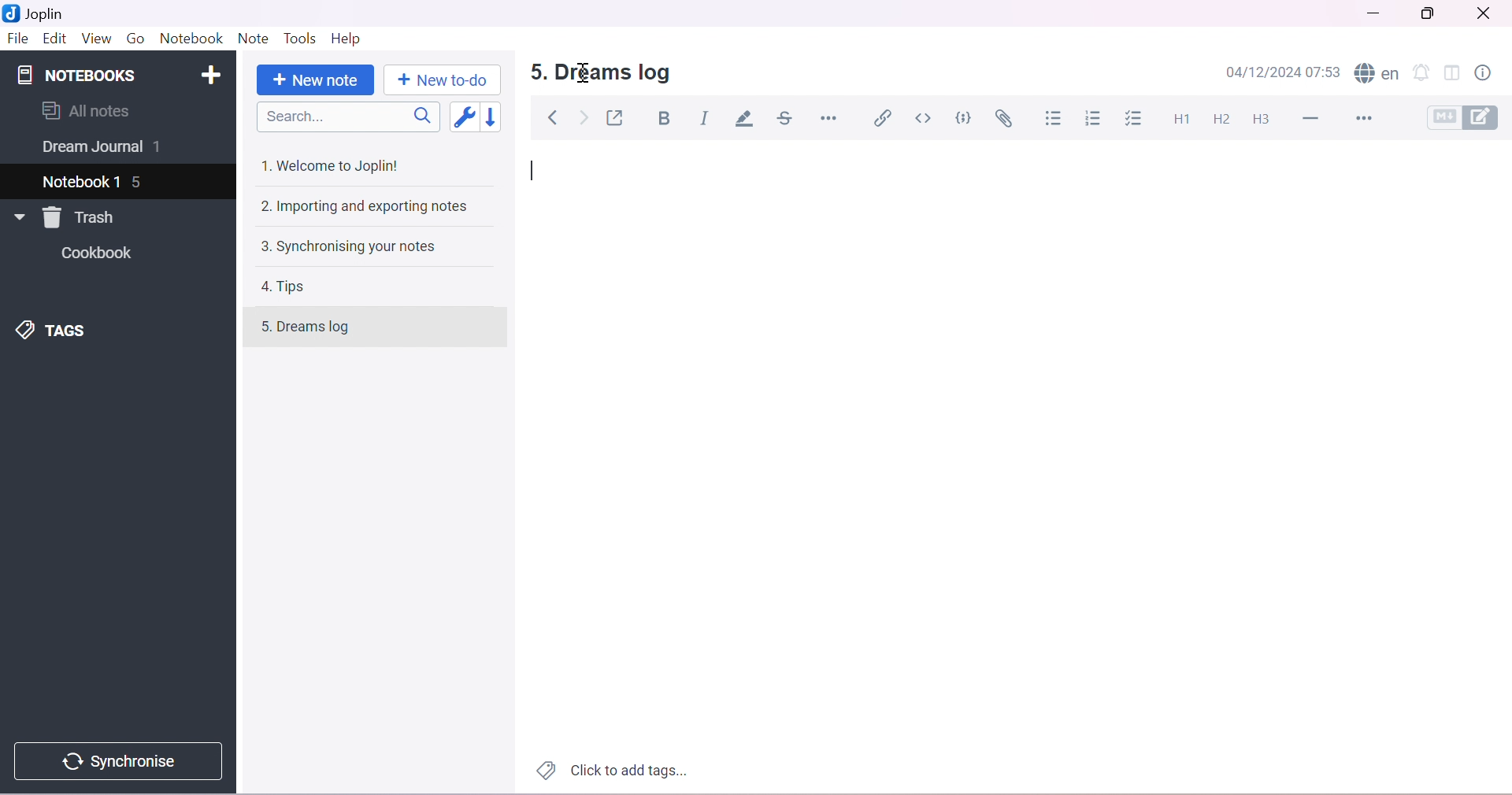 This screenshot has width=1512, height=795. I want to click on Note properties, so click(1490, 72).